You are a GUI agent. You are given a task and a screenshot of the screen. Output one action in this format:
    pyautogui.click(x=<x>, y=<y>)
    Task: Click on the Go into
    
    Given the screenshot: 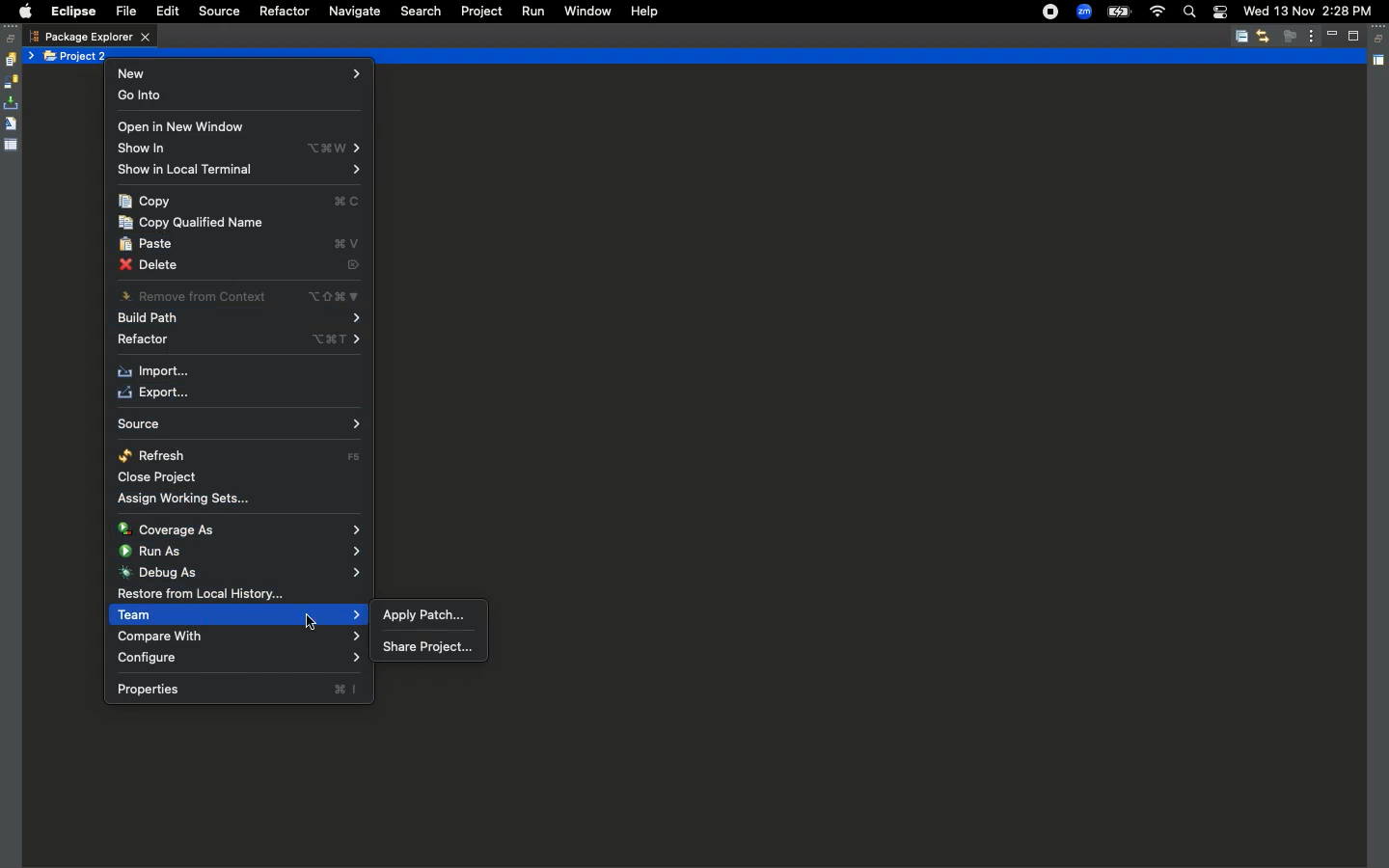 What is the action you would take?
    pyautogui.click(x=145, y=97)
    